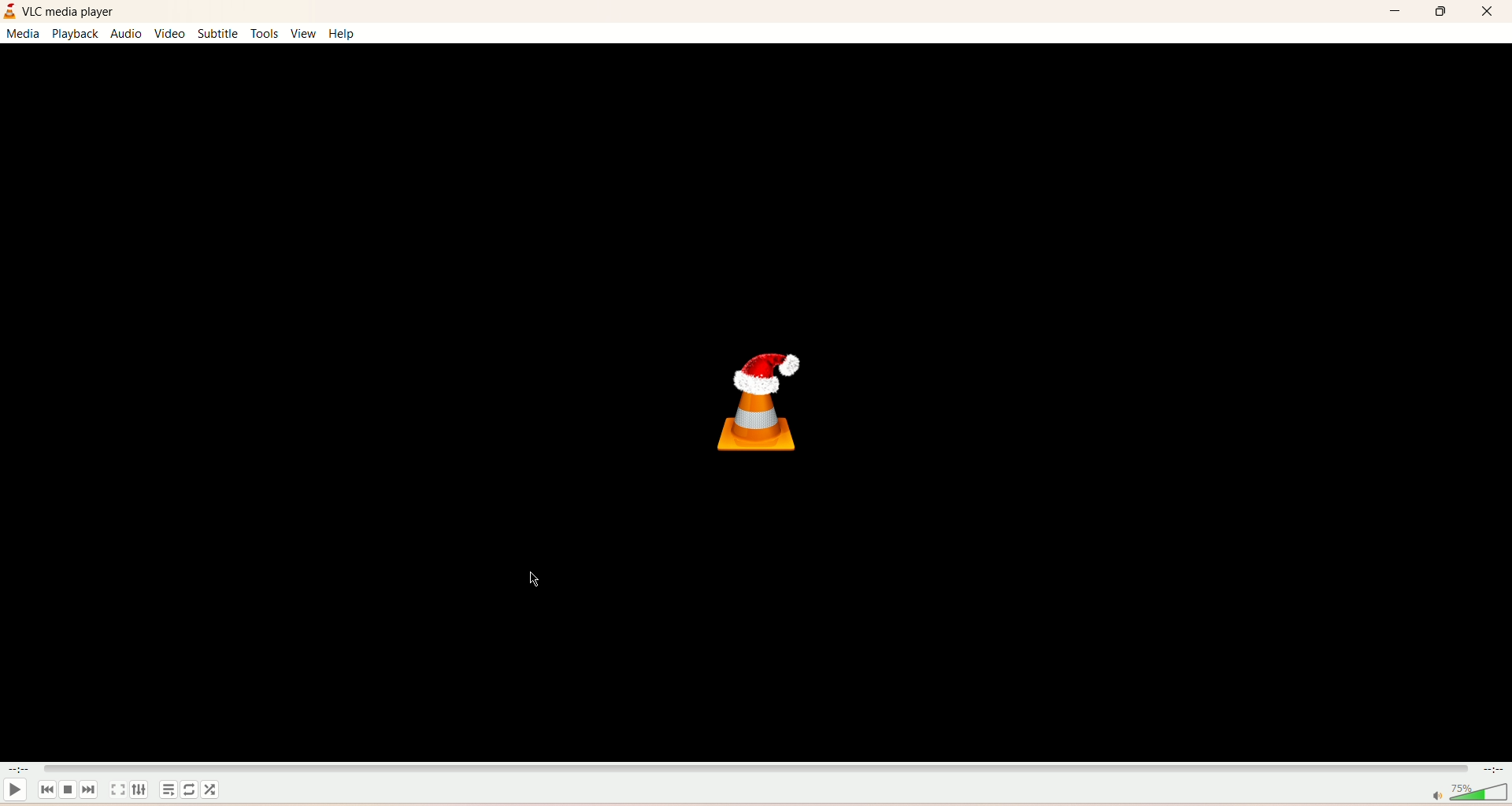 The width and height of the screenshot is (1512, 806). I want to click on video, so click(170, 34).